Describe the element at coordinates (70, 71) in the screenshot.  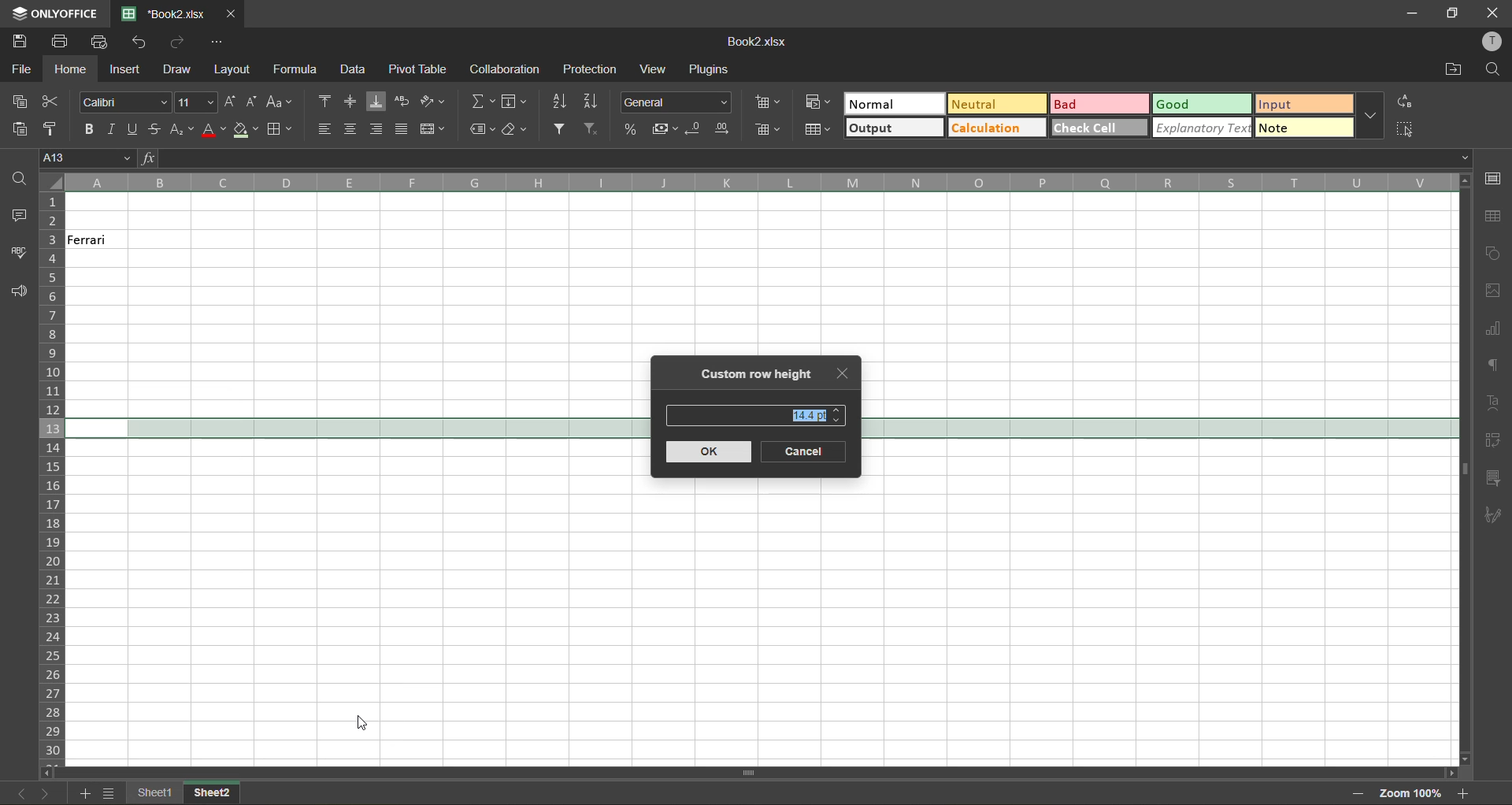
I see `home` at that location.